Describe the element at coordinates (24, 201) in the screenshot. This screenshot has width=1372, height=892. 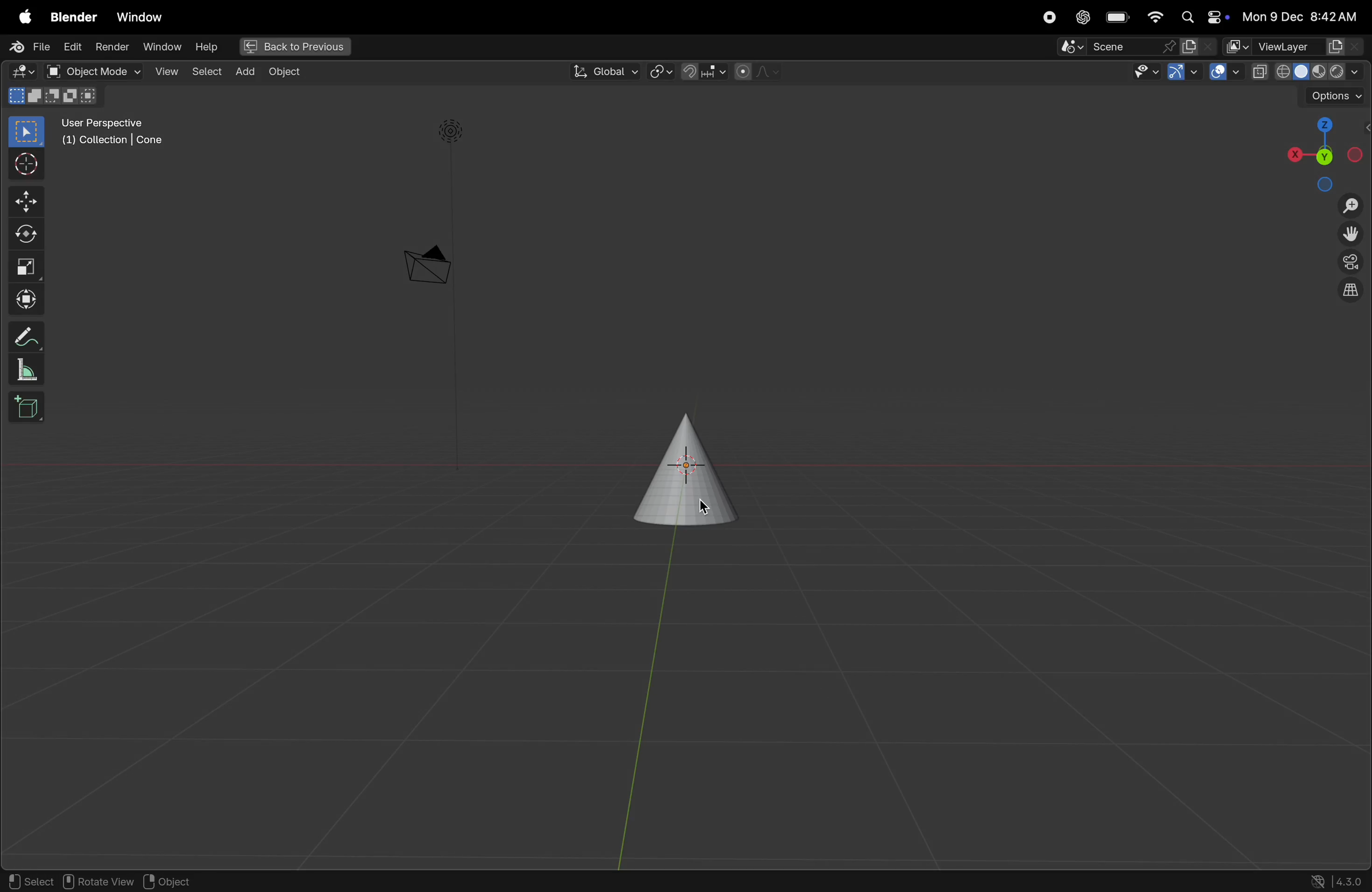
I see `move` at that location.